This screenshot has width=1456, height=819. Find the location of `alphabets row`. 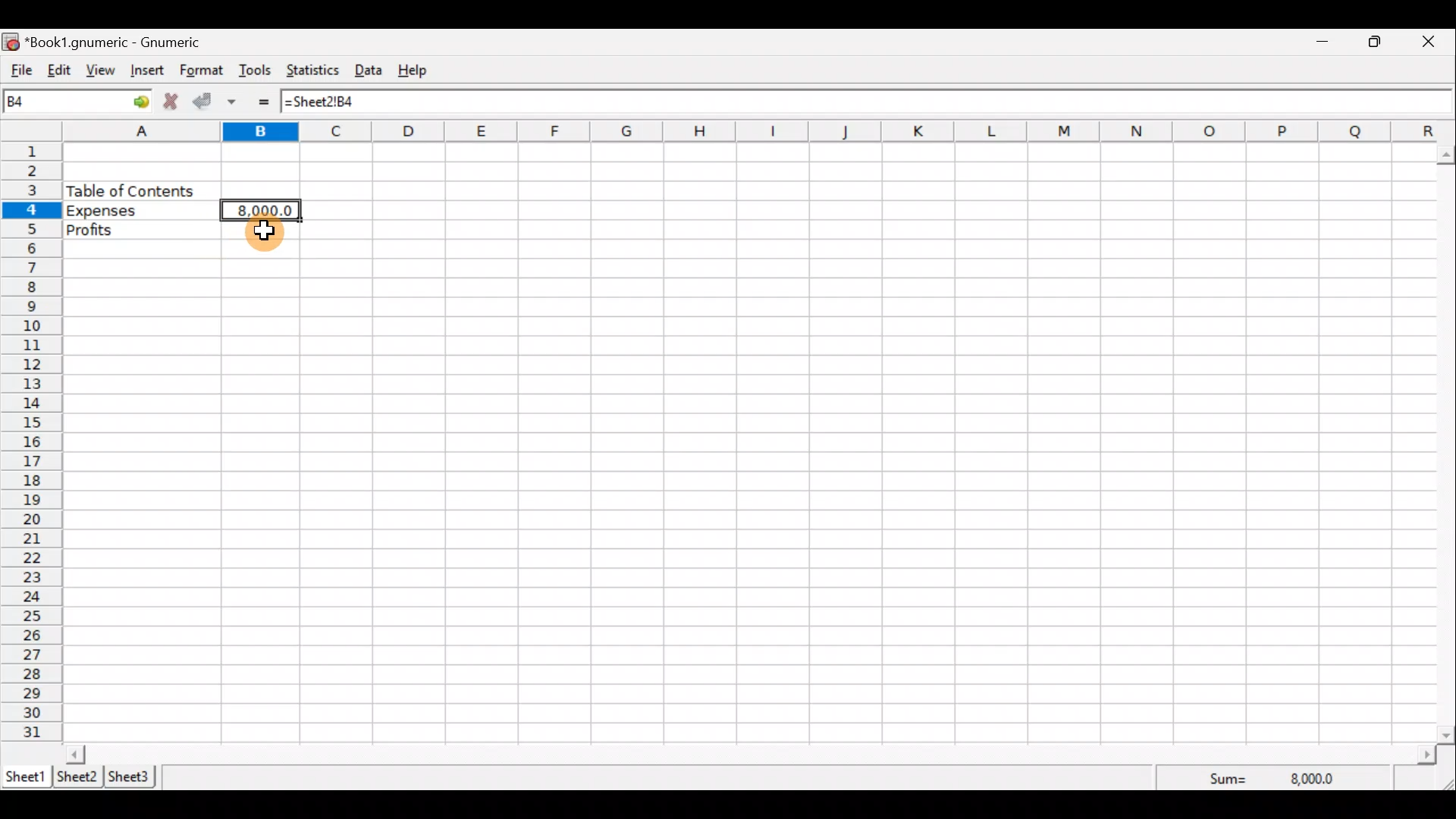

alphabets row is located at coordinates (737, 132).